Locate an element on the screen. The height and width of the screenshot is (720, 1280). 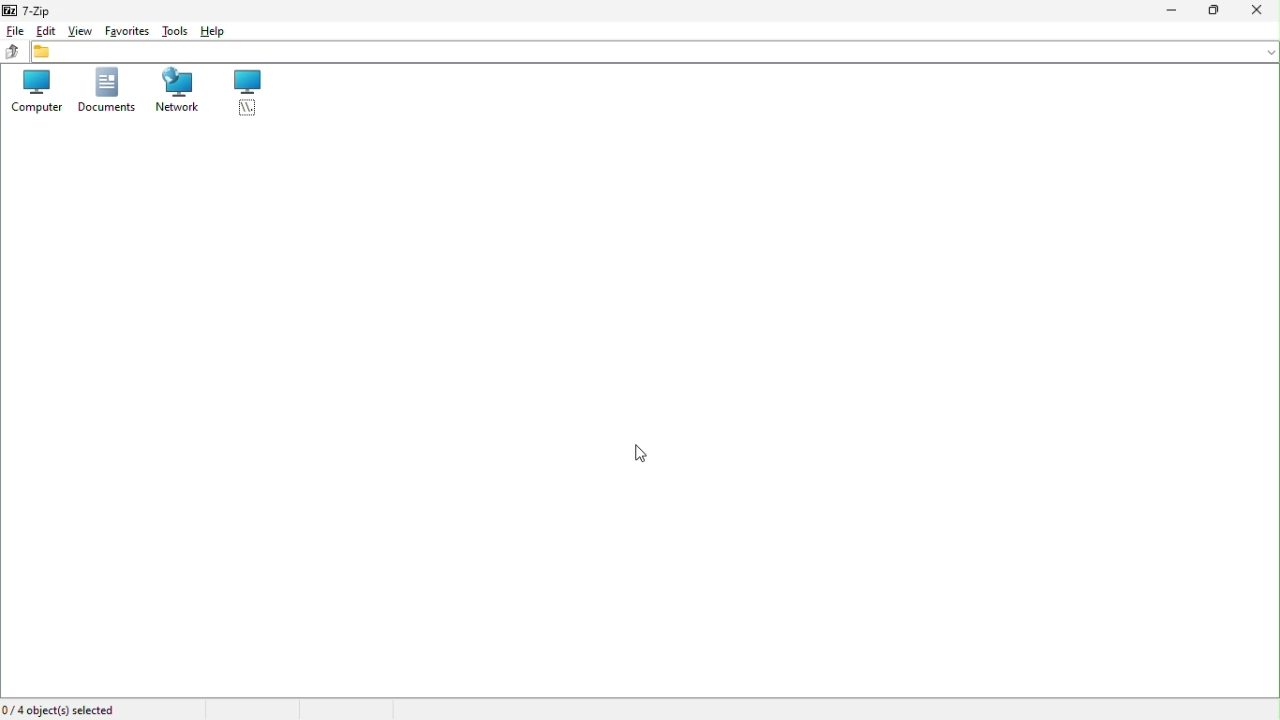
Restore is located at coordinates (1215, 14).